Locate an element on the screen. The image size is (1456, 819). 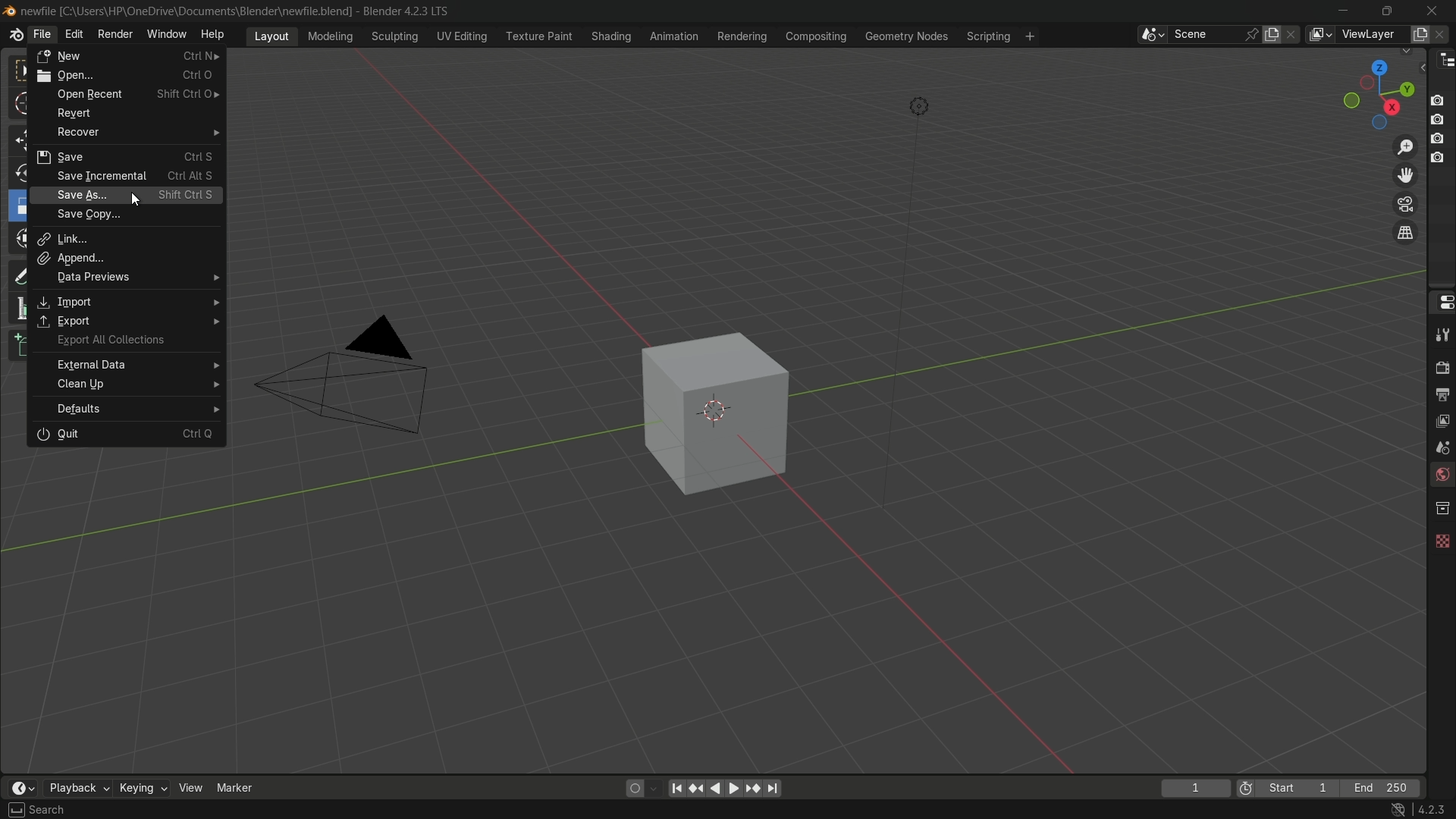
save is located at coordinates (127, 156).